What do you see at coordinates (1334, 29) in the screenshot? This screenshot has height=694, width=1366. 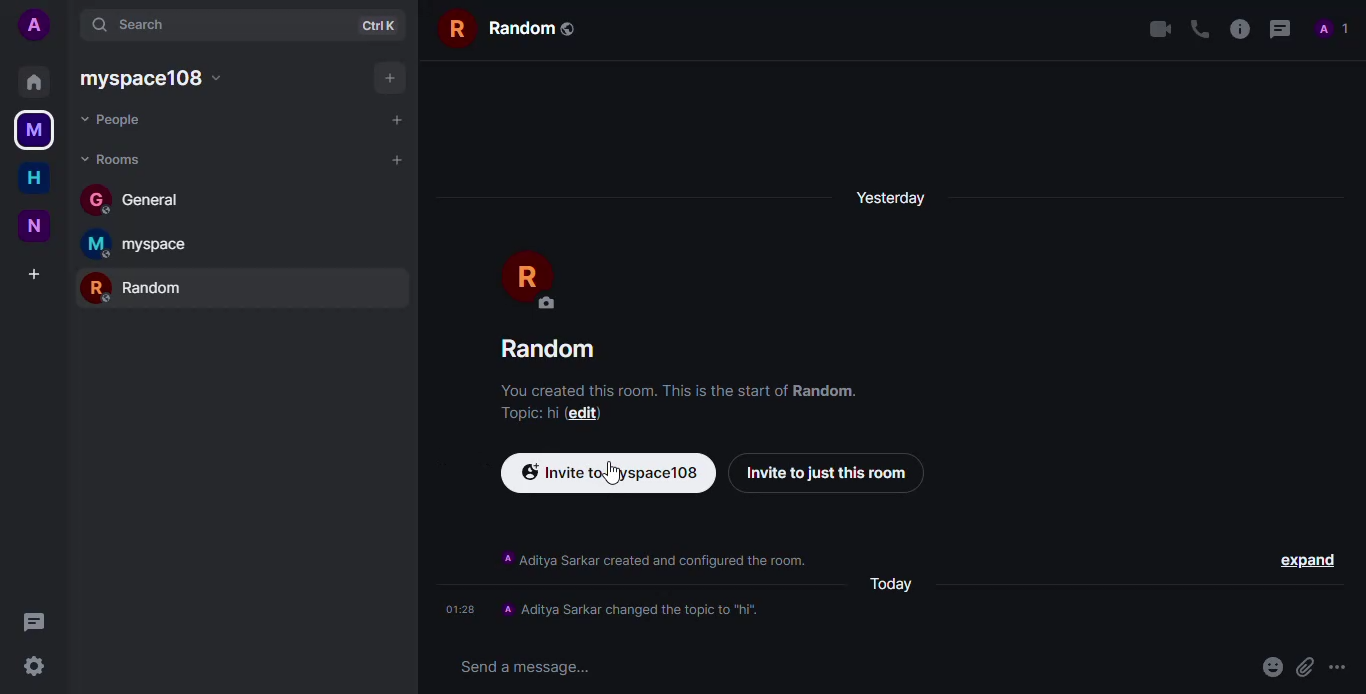 I see `people` at bounding box center [1334, 29].